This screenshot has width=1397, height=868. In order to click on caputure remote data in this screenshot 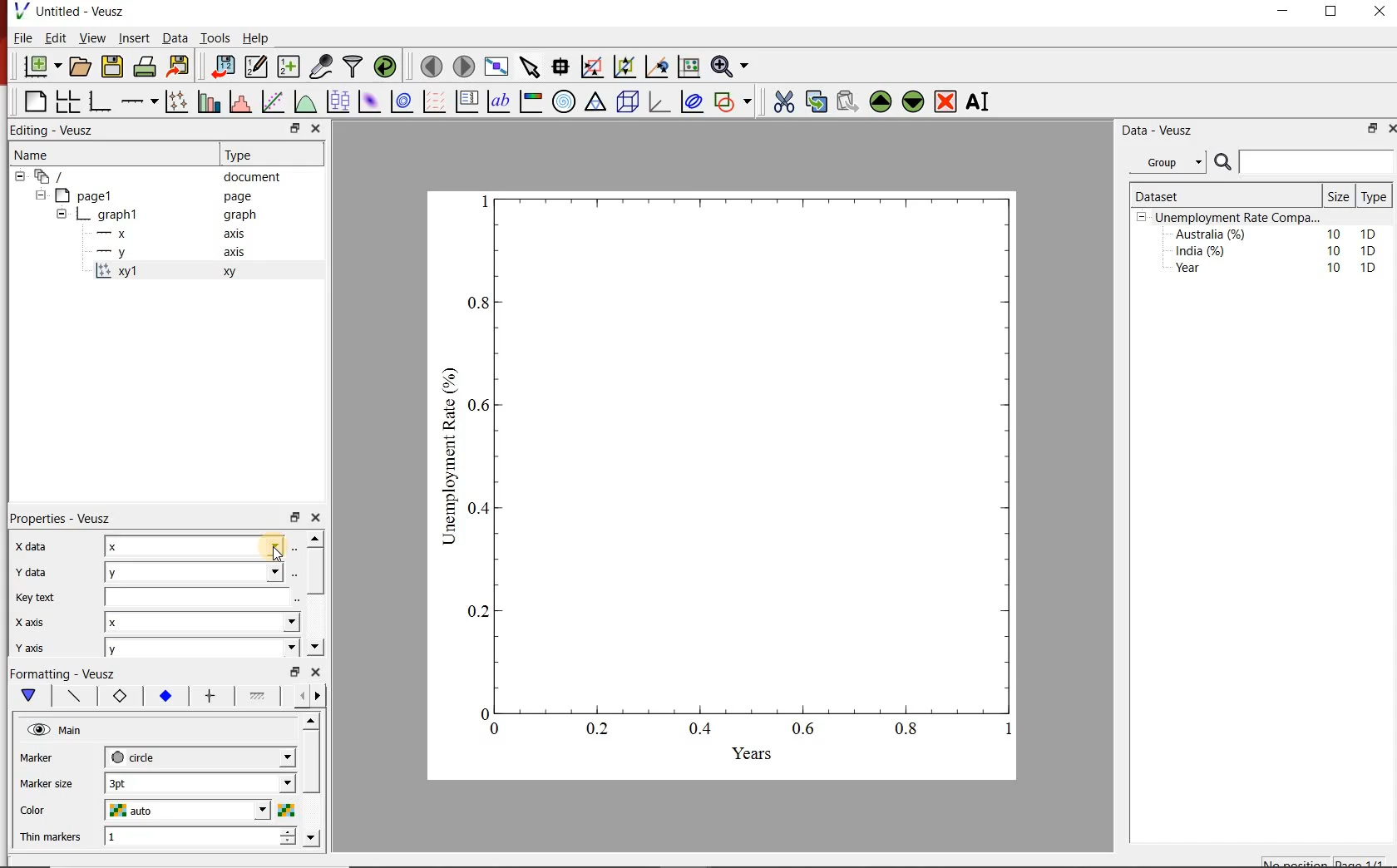, I will do `click(323, 66)`.